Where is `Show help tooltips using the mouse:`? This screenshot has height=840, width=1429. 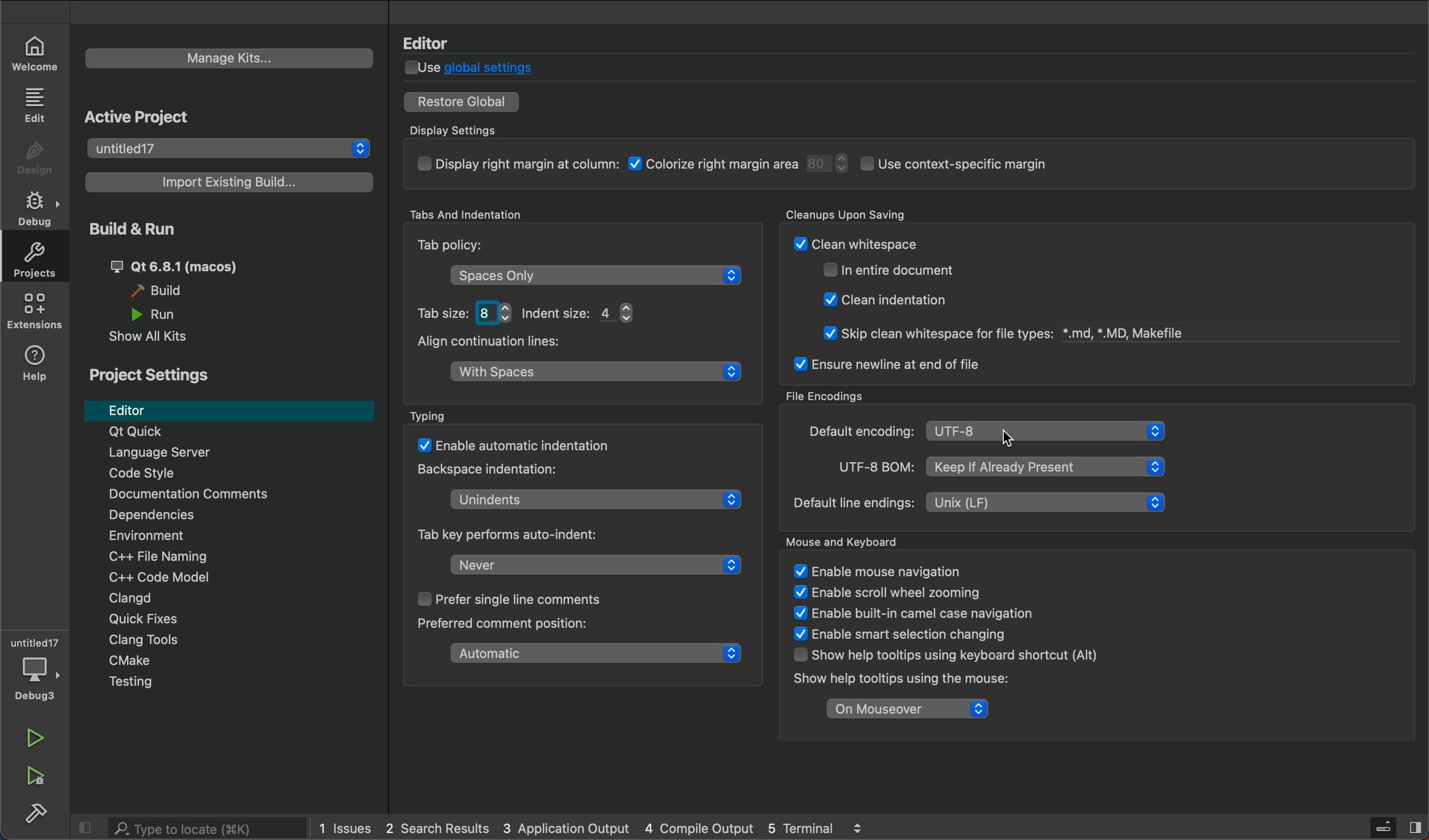
Show help tooltips using the mouse: is located at coordinates (894, 678).